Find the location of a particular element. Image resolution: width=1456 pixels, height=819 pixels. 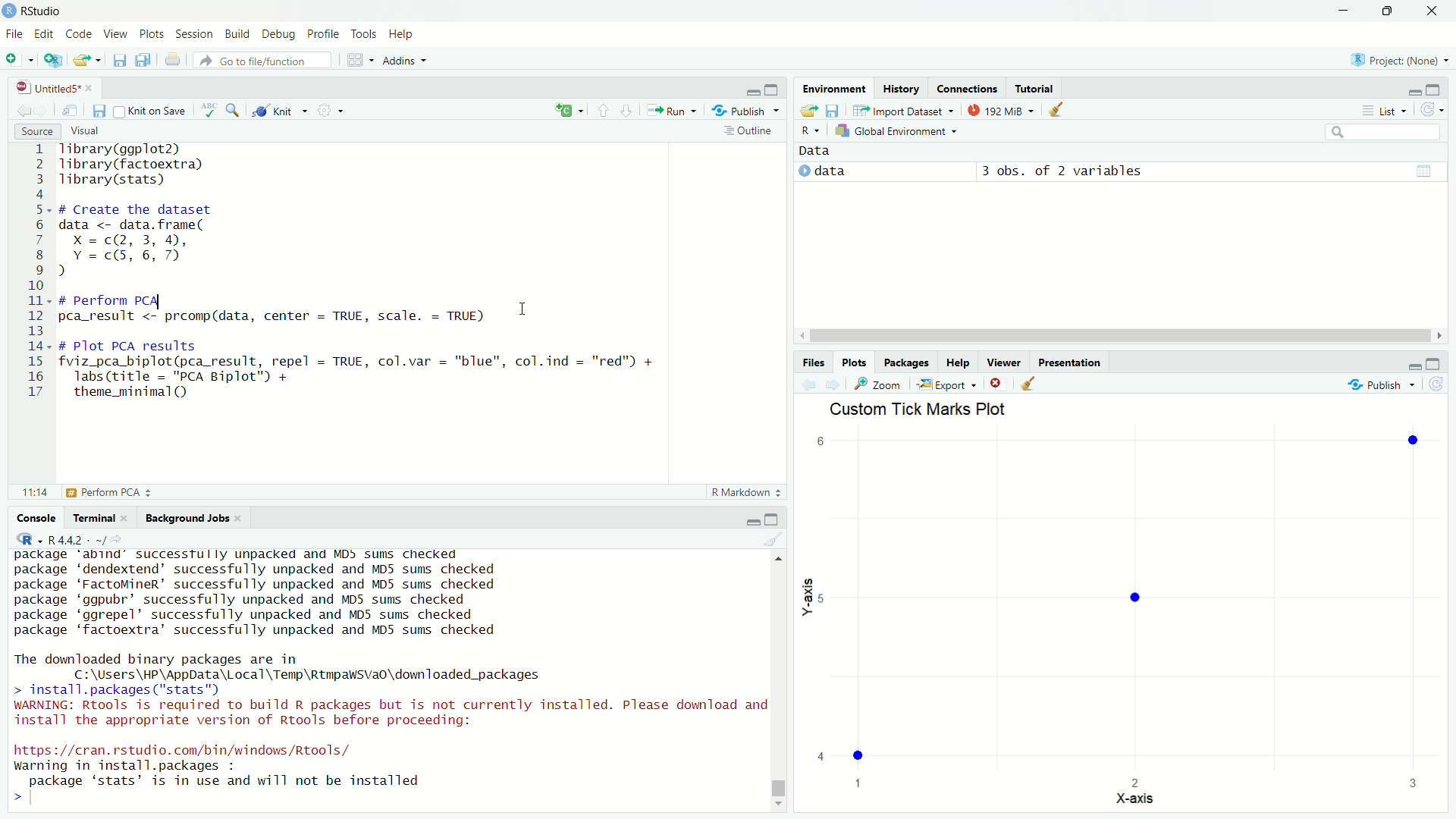

save all open documents is located at coordinates (146, 60).